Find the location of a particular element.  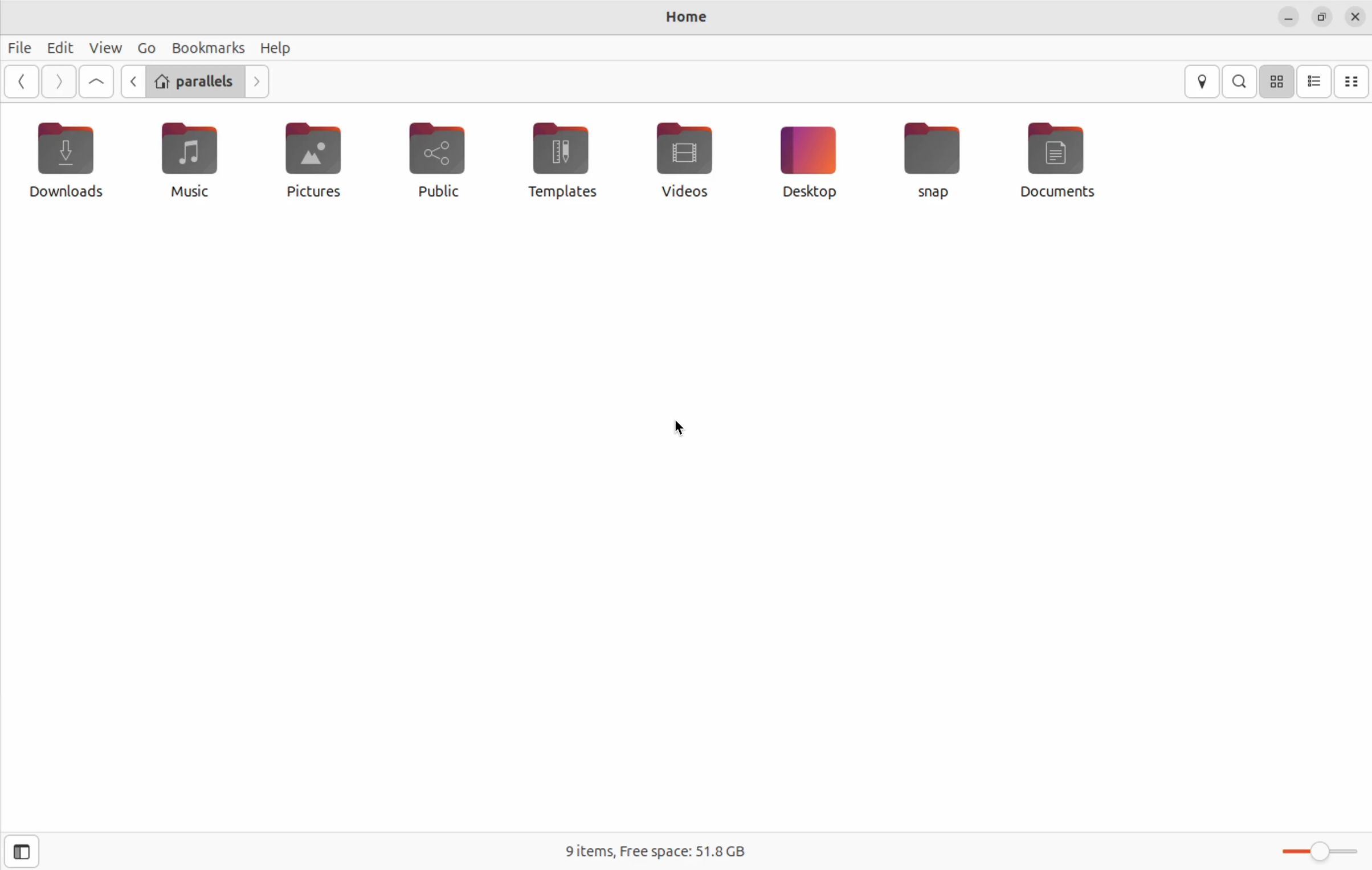

toggle zoom is located at coordinates (1312, 851).